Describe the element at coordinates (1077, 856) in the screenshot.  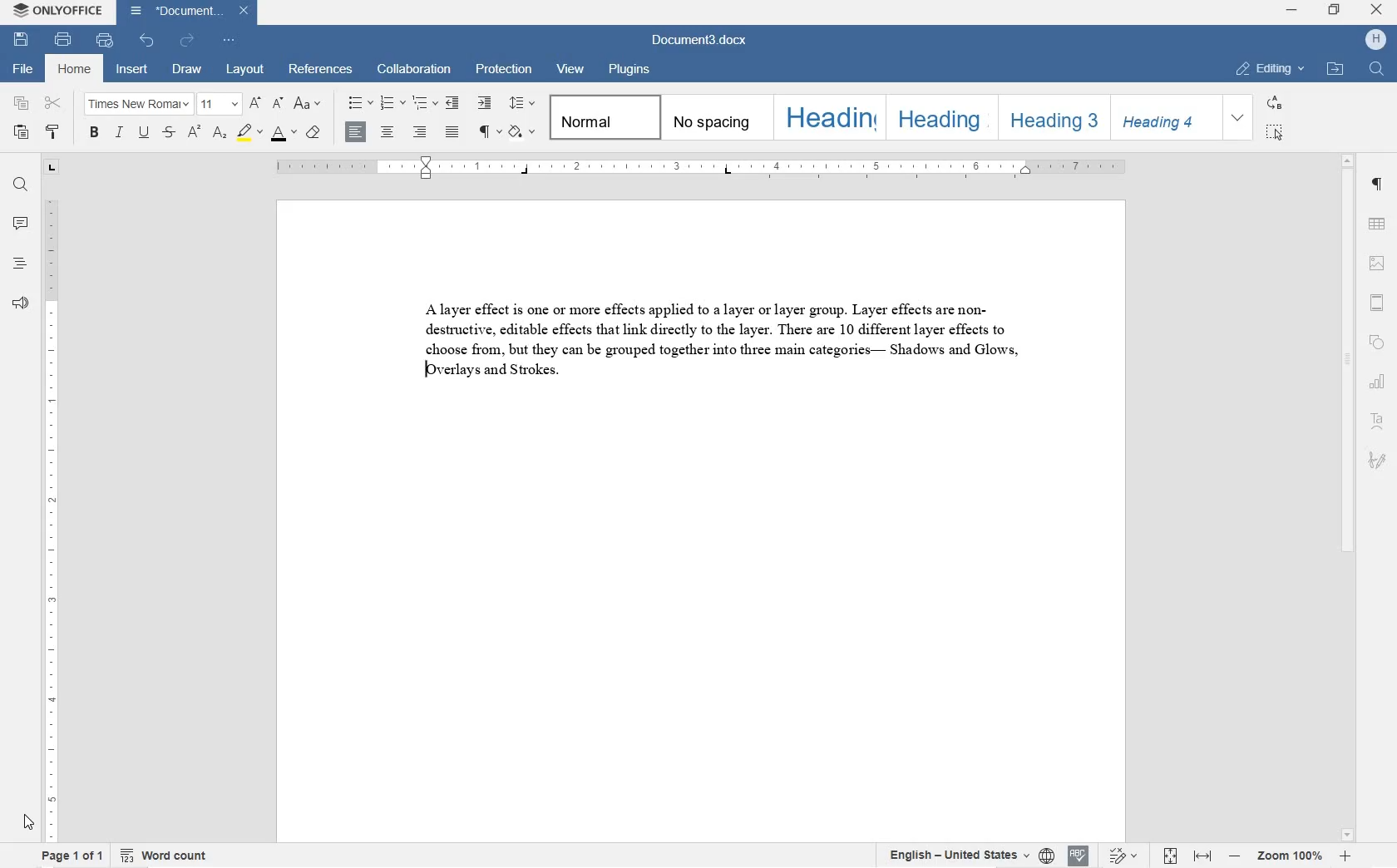
I see `spell check` at that location.